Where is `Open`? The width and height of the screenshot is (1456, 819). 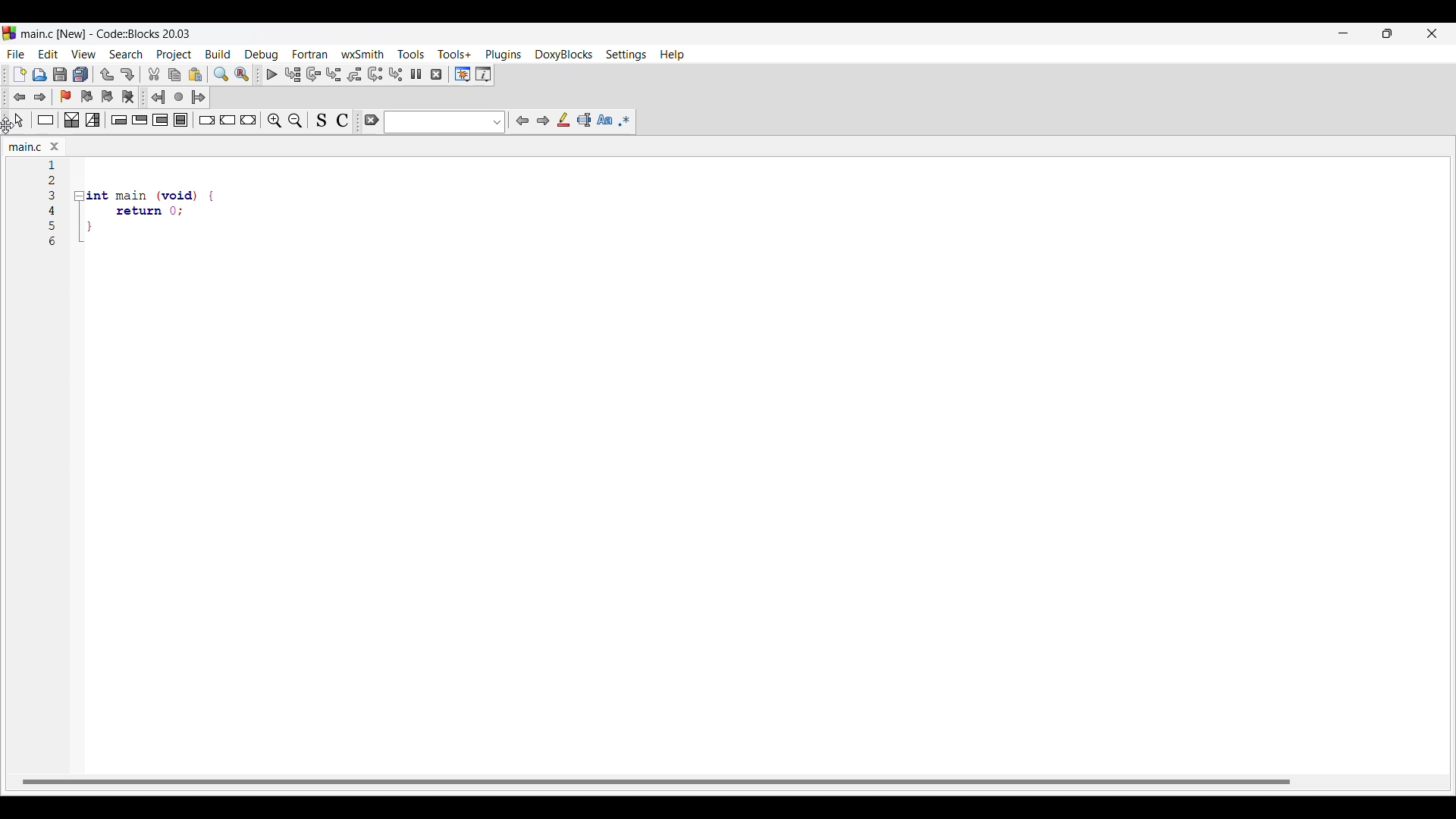 Open is located at coordinates (40, 74).